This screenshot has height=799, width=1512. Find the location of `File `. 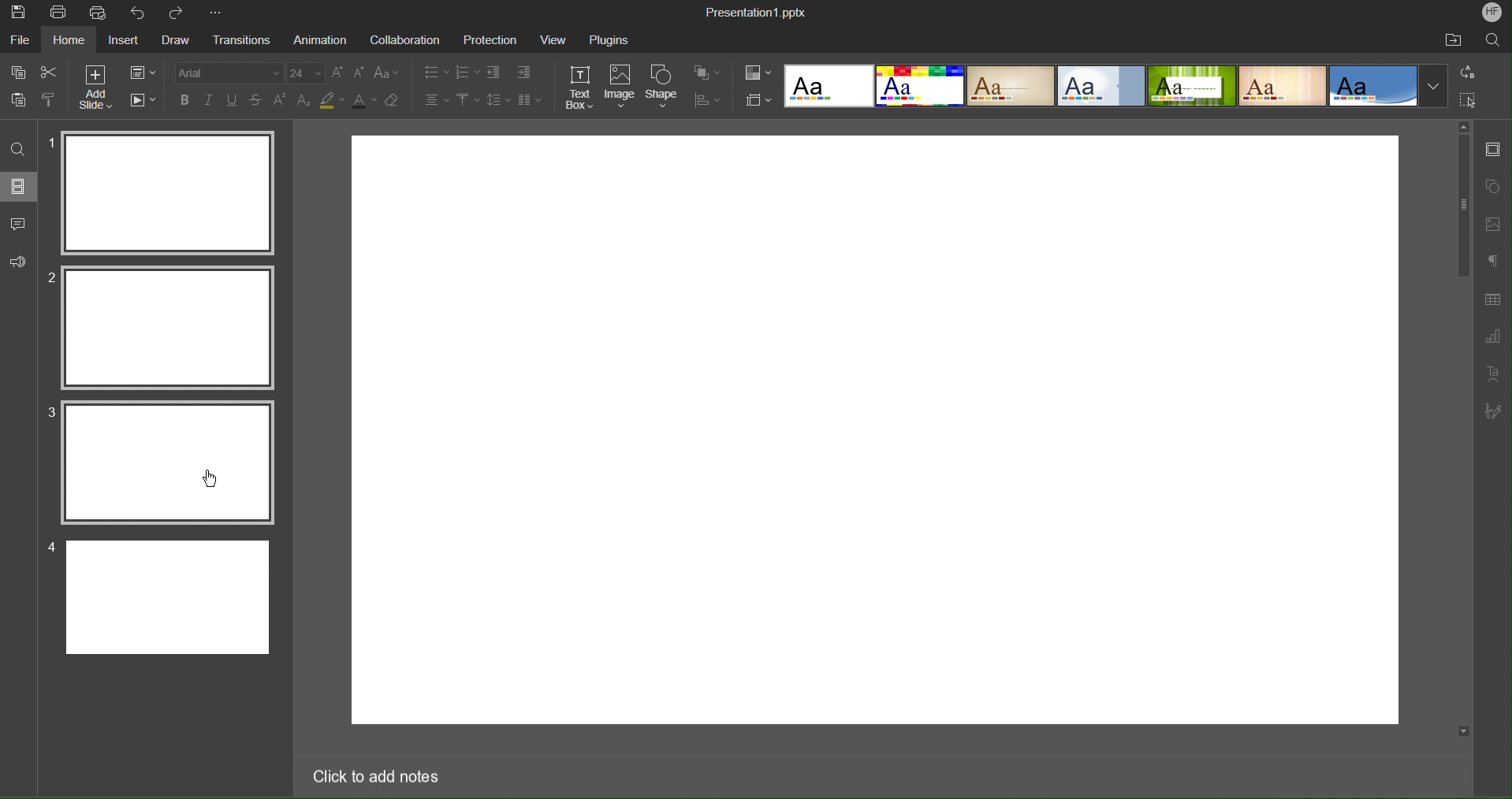

File  is located at coordinates (22, 40).